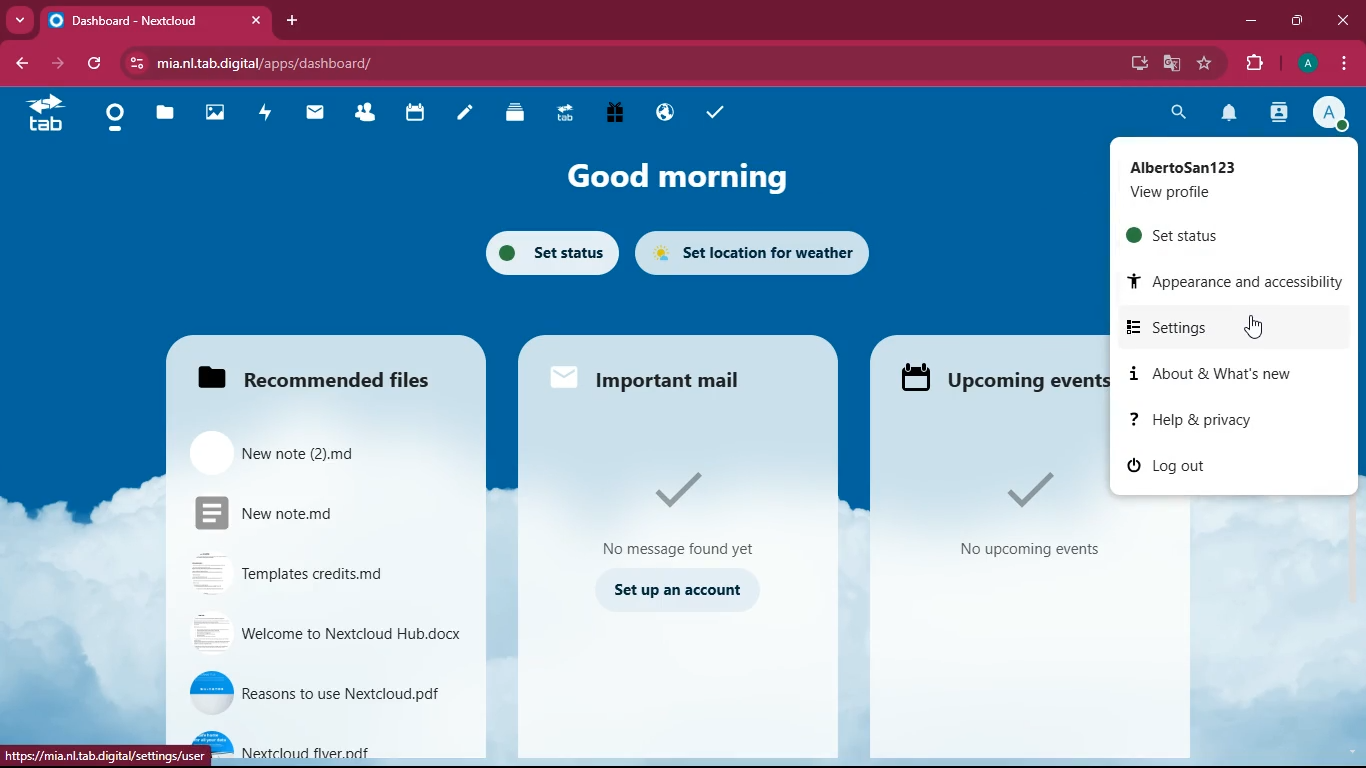 The width and height of the screenshot is (1366, 768). I want to click on Upgrade, so click(566, 115).